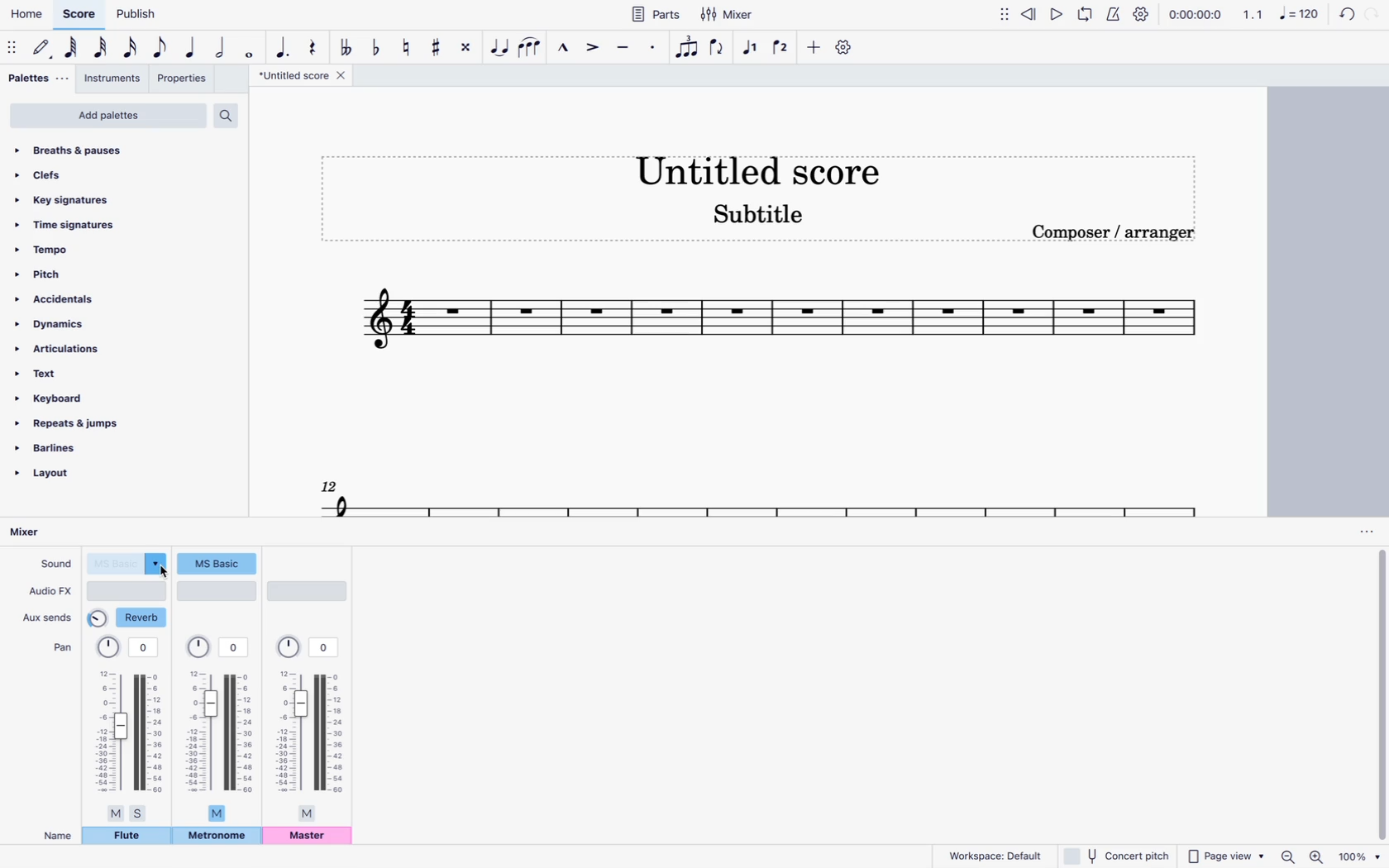  Describe the element at coordinates (1381, 695) in the screenshot. I see `vertical scrollbar` at that location.